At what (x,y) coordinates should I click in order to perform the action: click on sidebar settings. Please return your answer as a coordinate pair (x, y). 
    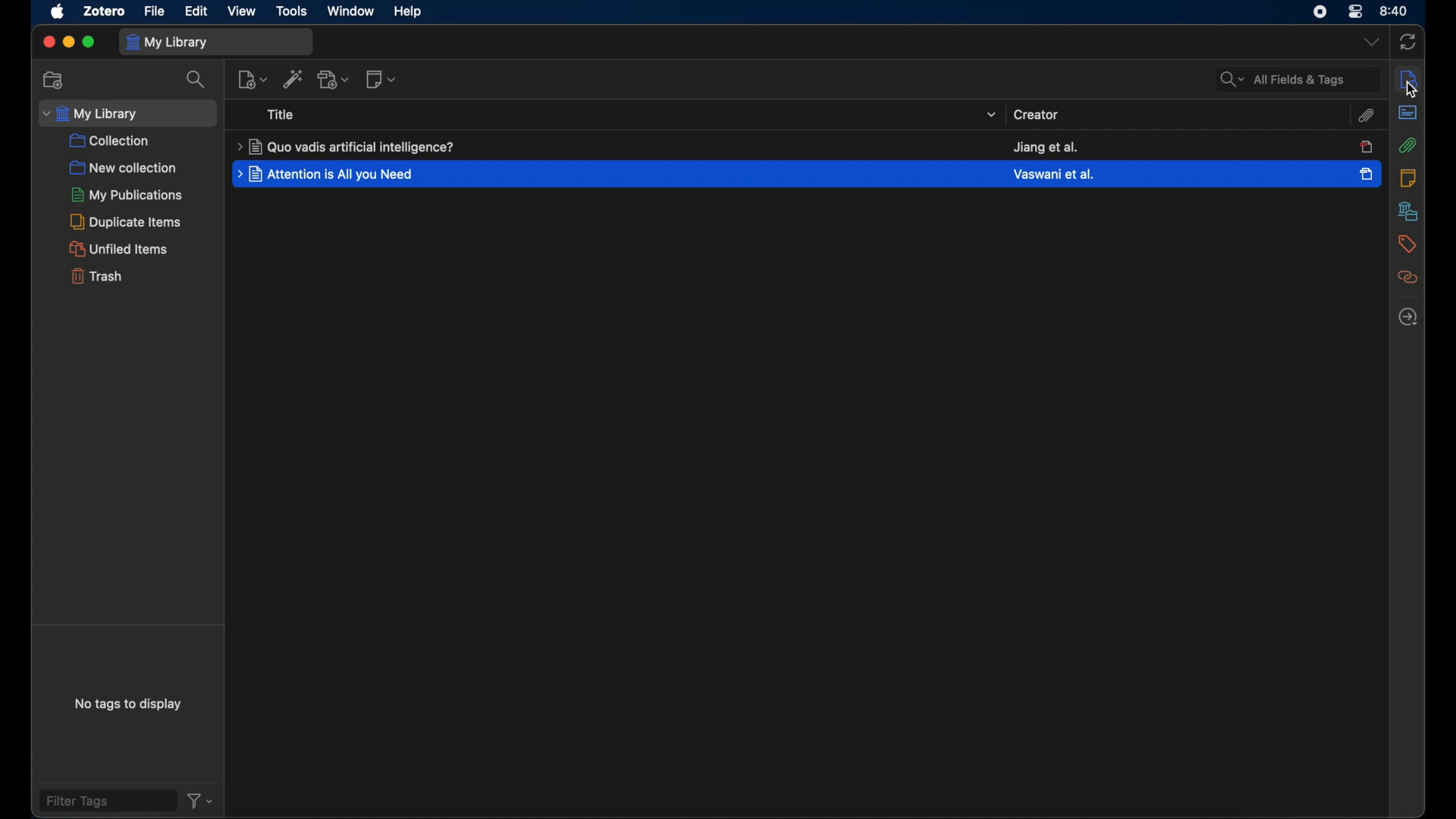
    Looking at the image, I should click on (1408, 80).